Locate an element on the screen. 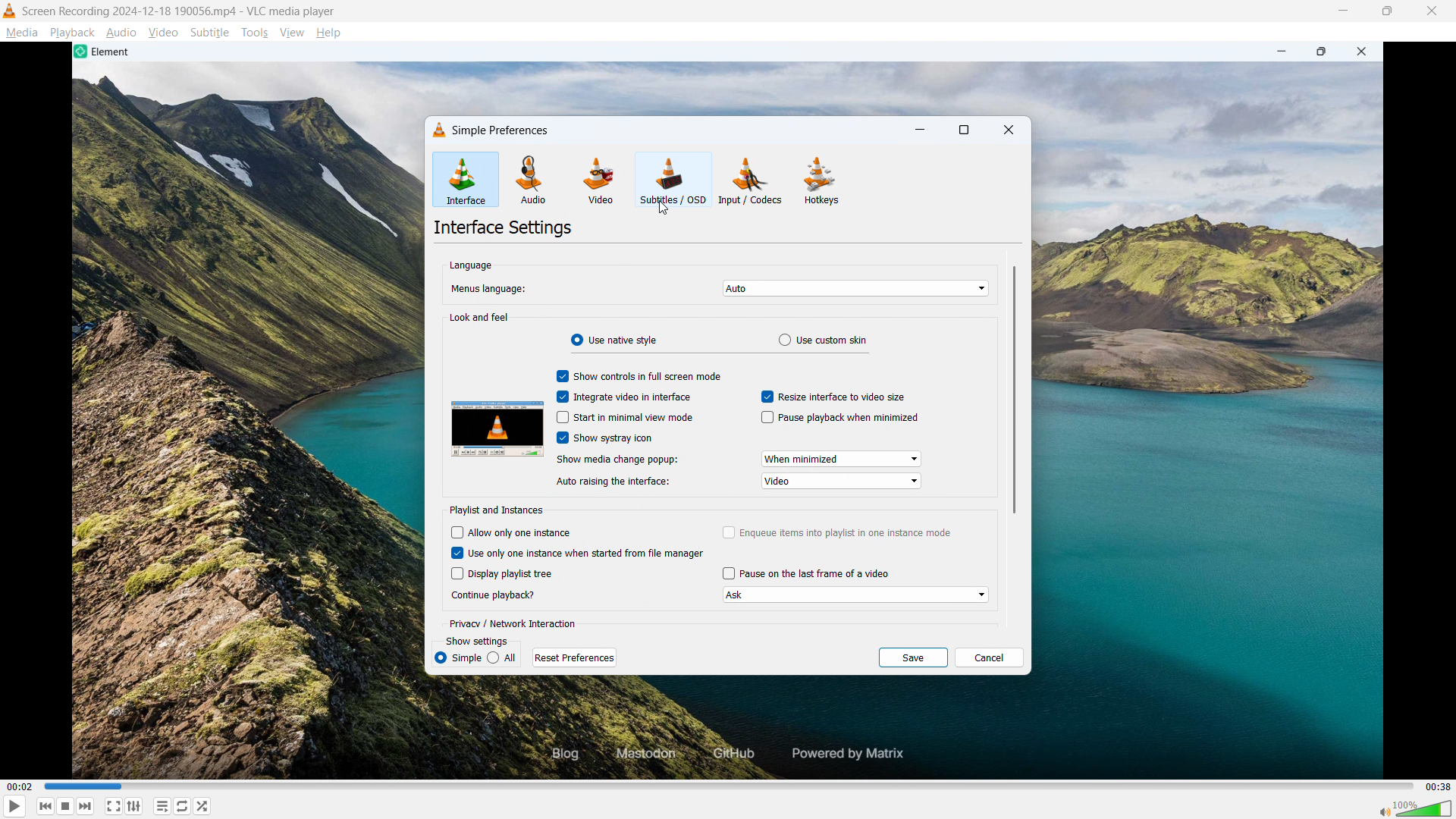 This screenshot has height=819, width=1456. cancel is located at coordinates (990, 657).